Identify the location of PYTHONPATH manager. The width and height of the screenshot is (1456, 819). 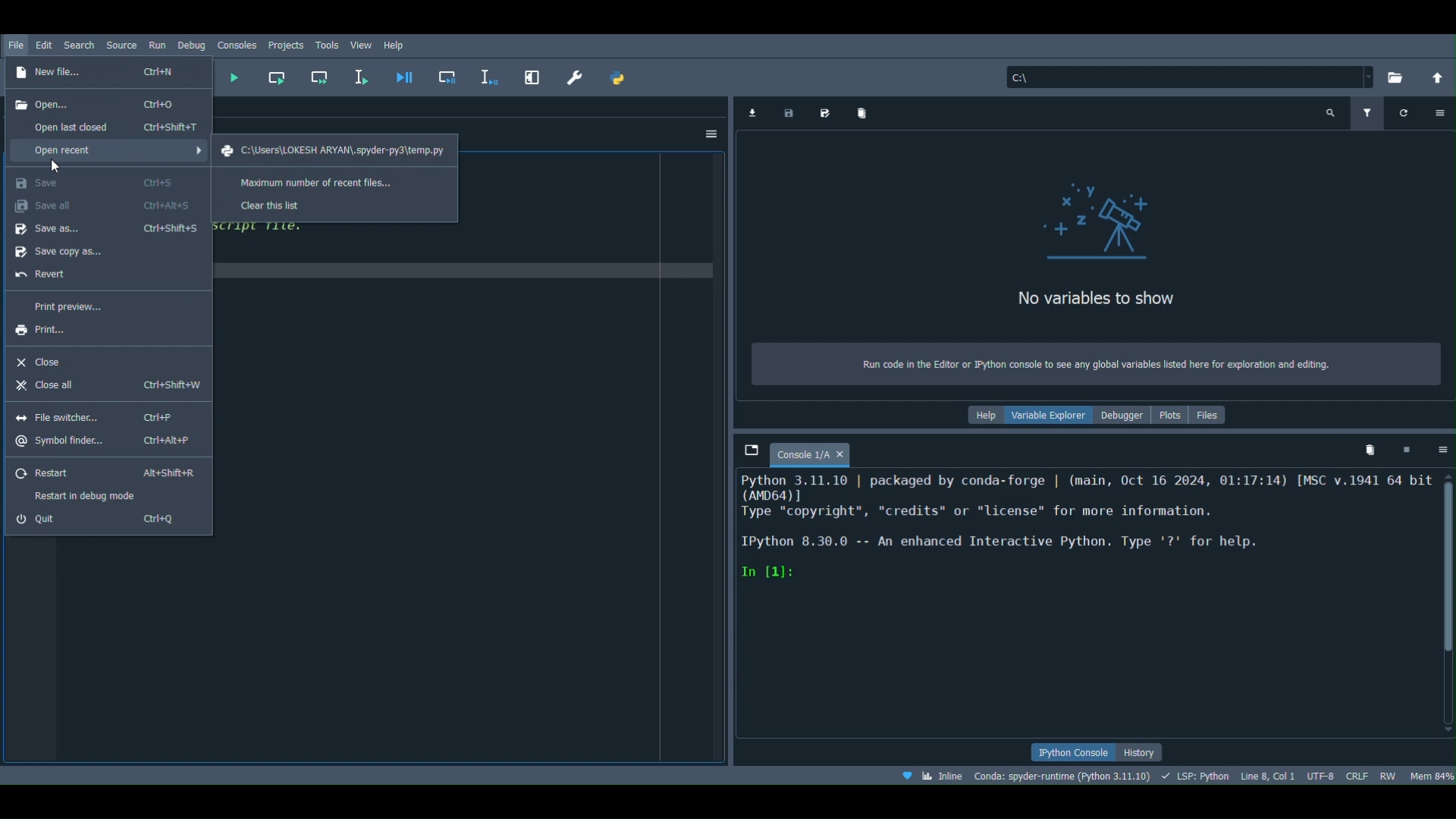
(620, 79).